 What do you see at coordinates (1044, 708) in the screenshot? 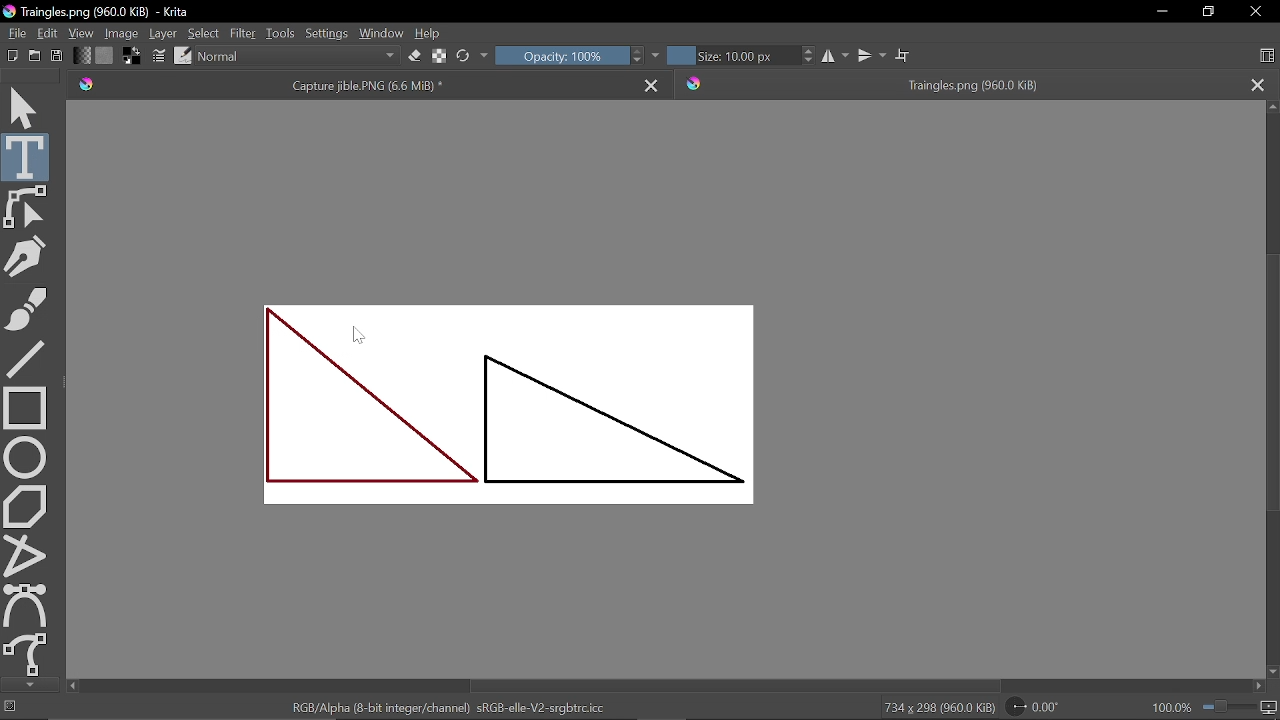
I see `Rotate` at bounding box center [1044, 708].